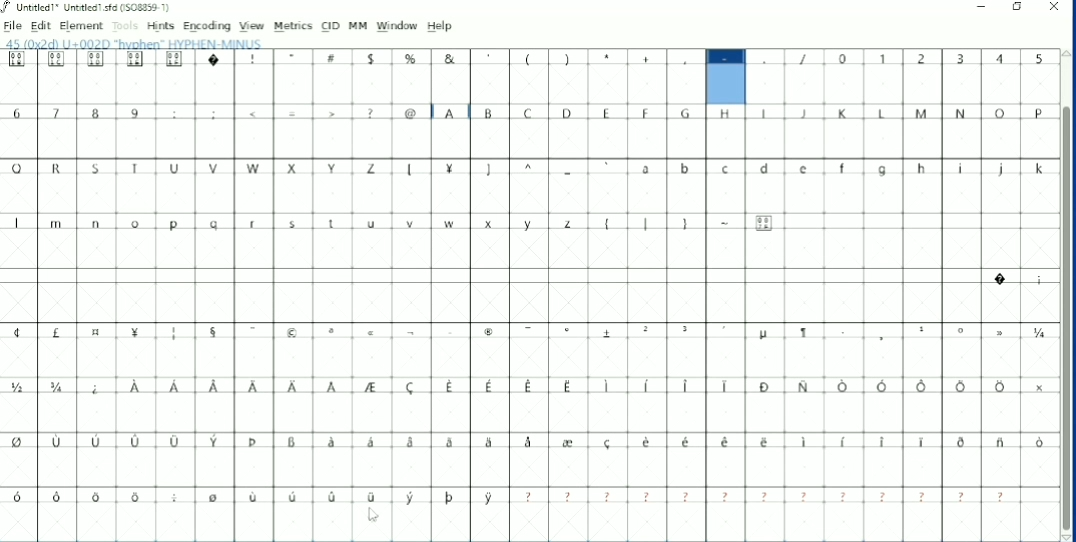 Image resolution: width=1076 pixels, height=542 pixels. I want to click on View, so click(252, 26).